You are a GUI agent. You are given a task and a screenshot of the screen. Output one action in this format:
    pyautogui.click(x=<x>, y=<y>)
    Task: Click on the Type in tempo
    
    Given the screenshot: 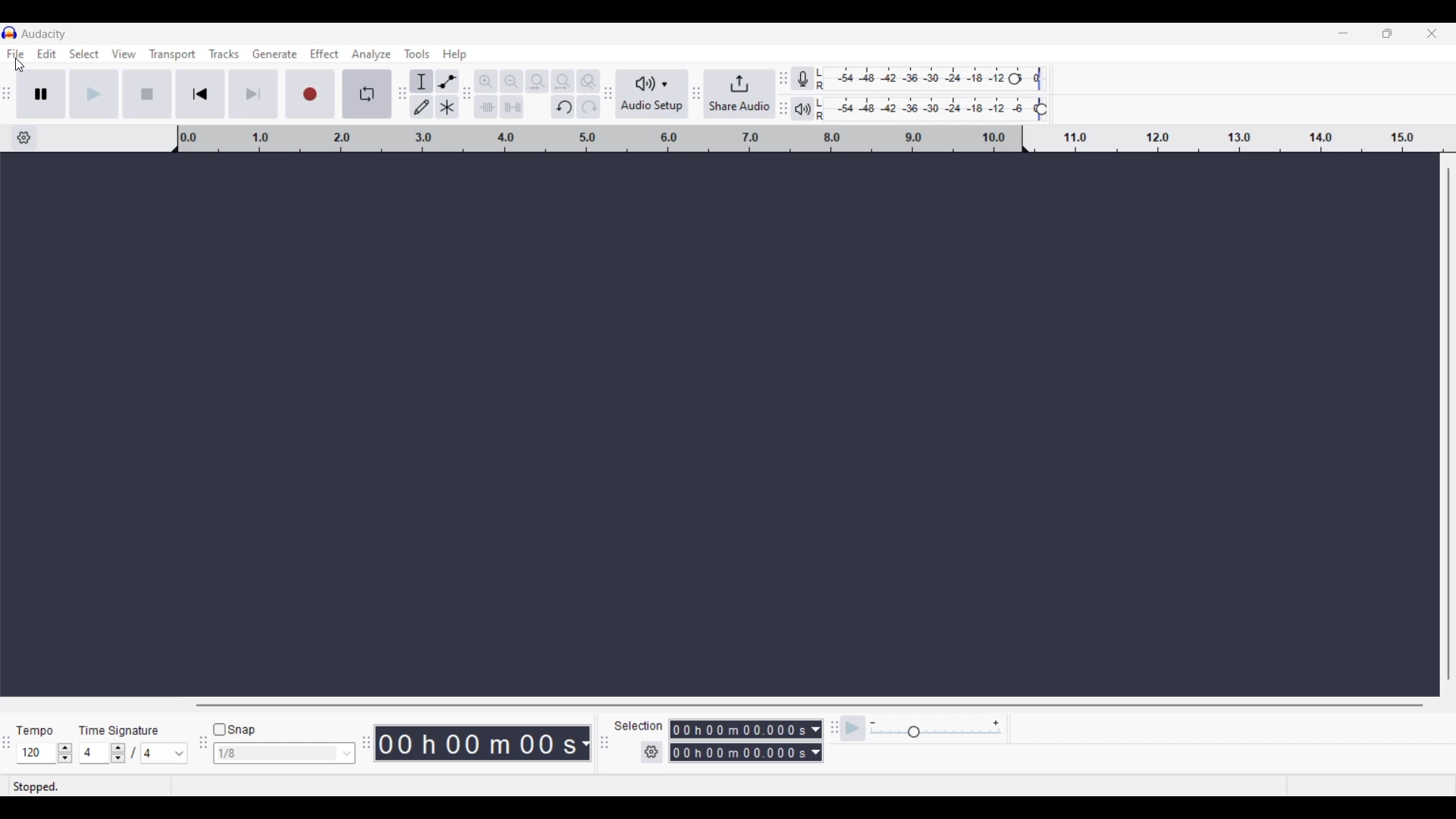 What is the action you would take?
    pyautogui.click(x=37, y=754)
    